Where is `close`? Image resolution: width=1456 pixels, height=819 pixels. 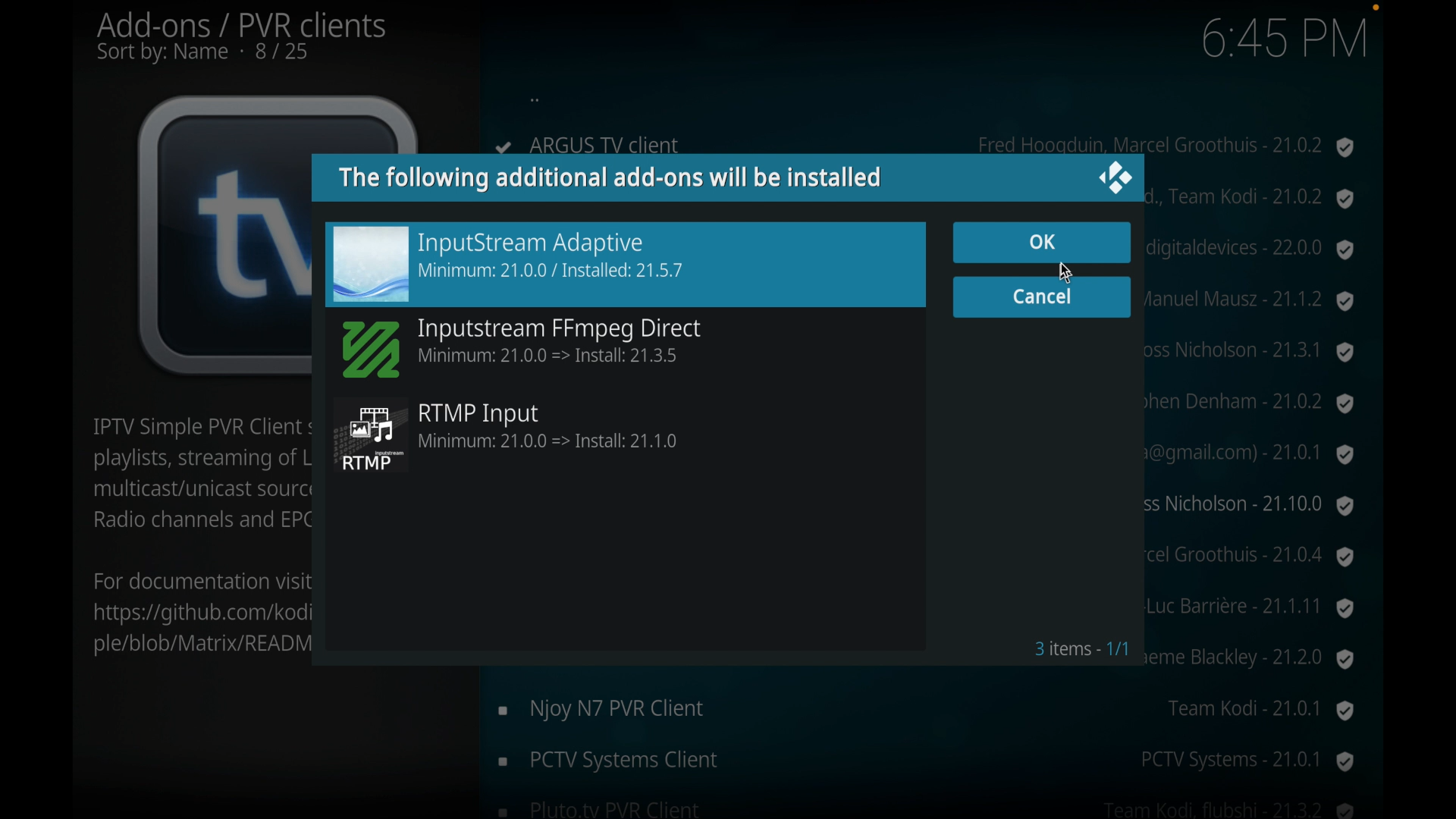
close is located at coordinates (1116, 177).